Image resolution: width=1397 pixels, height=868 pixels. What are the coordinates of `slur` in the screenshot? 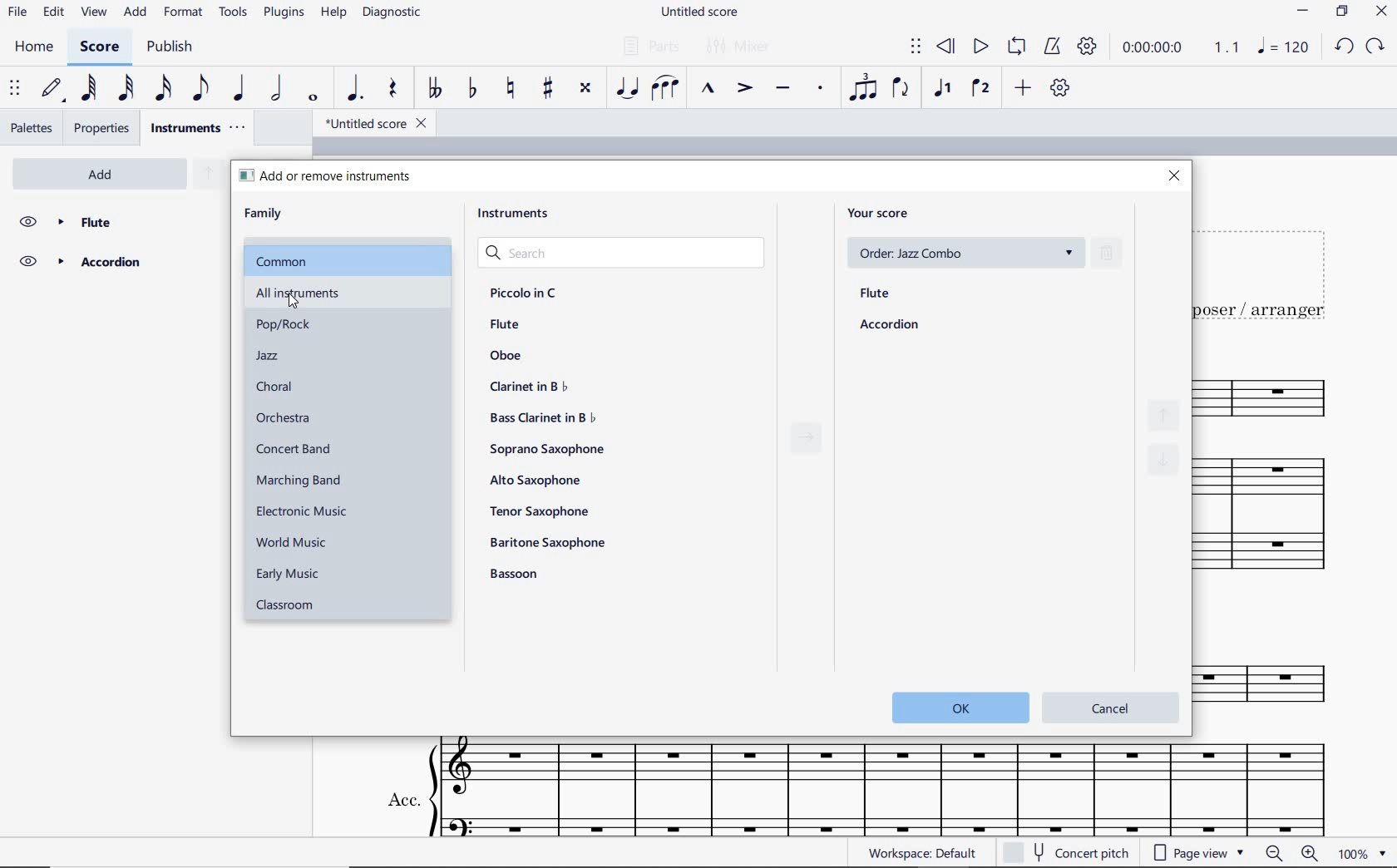 It's located at (668, 89).